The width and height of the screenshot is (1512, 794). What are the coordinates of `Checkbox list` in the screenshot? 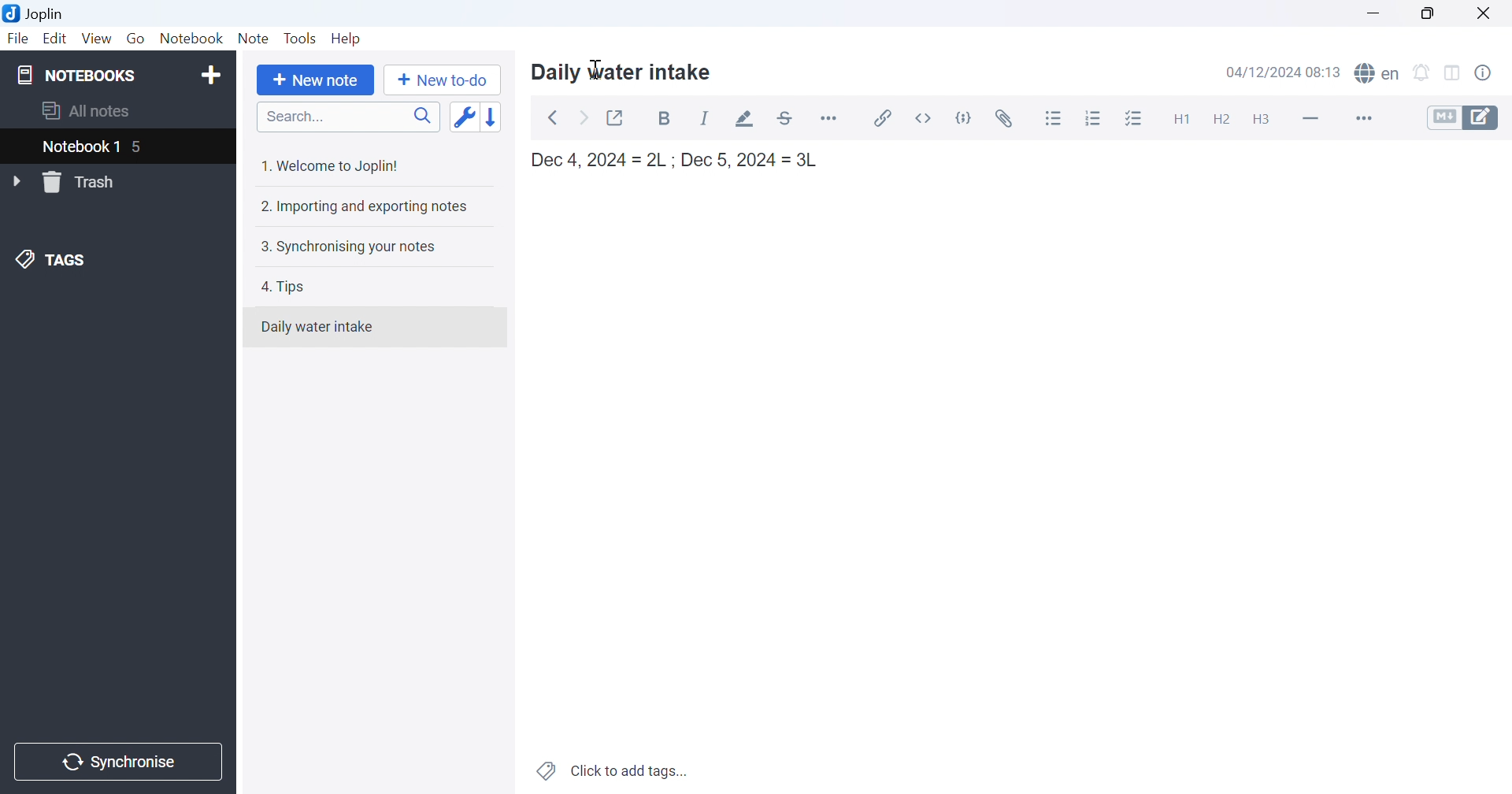 It's located at (1136, 119).